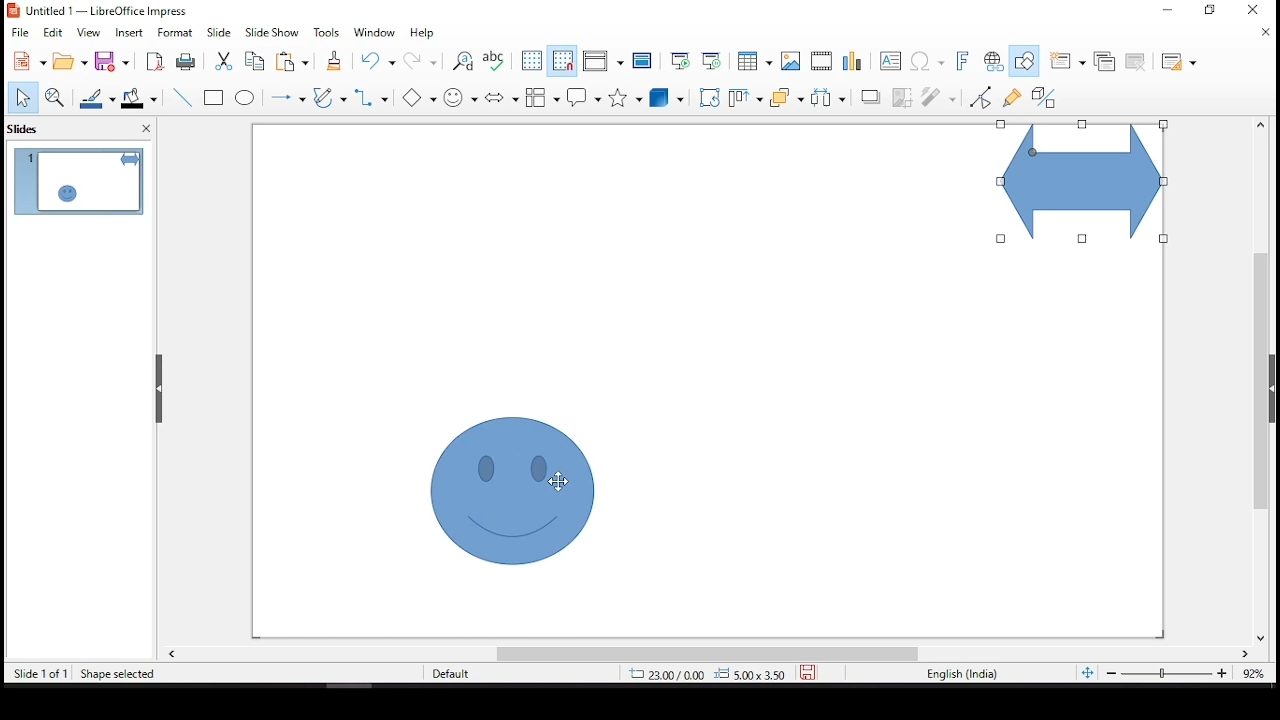 Image resolution: width=1280 pixels, height=720 pixels. What do you see at coordinates (118, 672) in the screenshot?
I see `shape selected` at bounding box center [118, 672].